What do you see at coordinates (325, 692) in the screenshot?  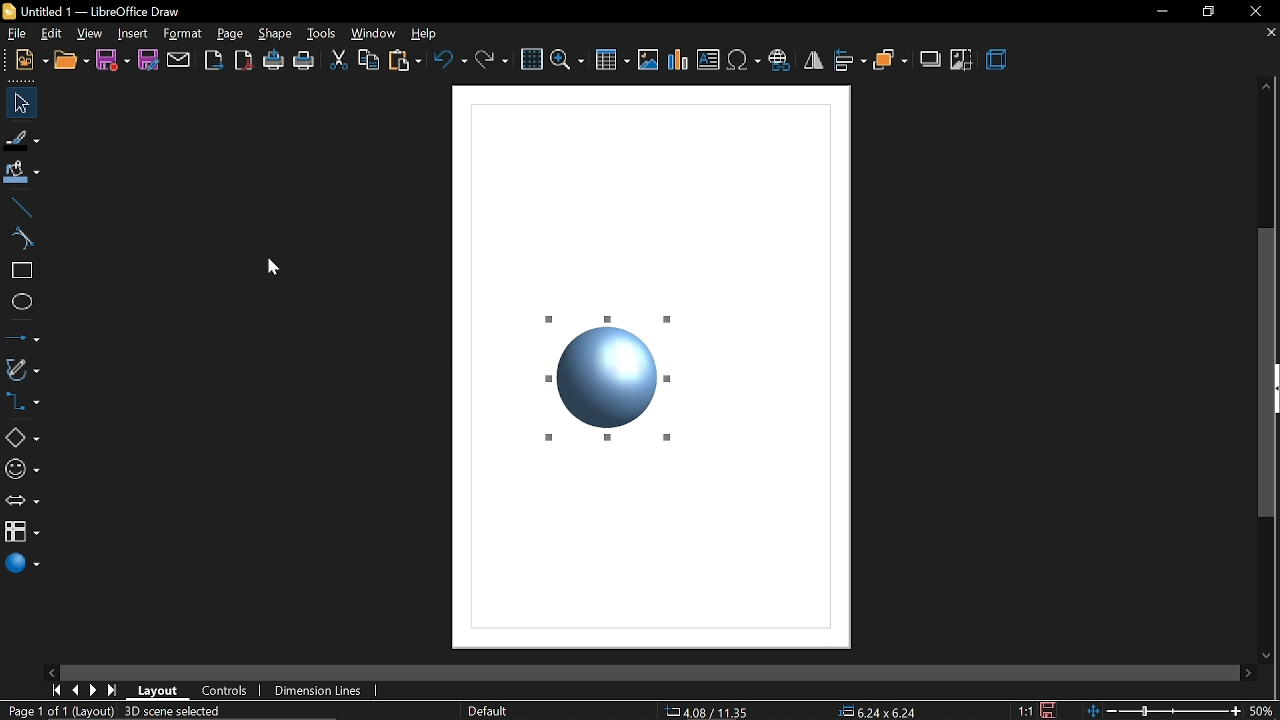 I see `dimension lines` at bounding box center [325, 692].